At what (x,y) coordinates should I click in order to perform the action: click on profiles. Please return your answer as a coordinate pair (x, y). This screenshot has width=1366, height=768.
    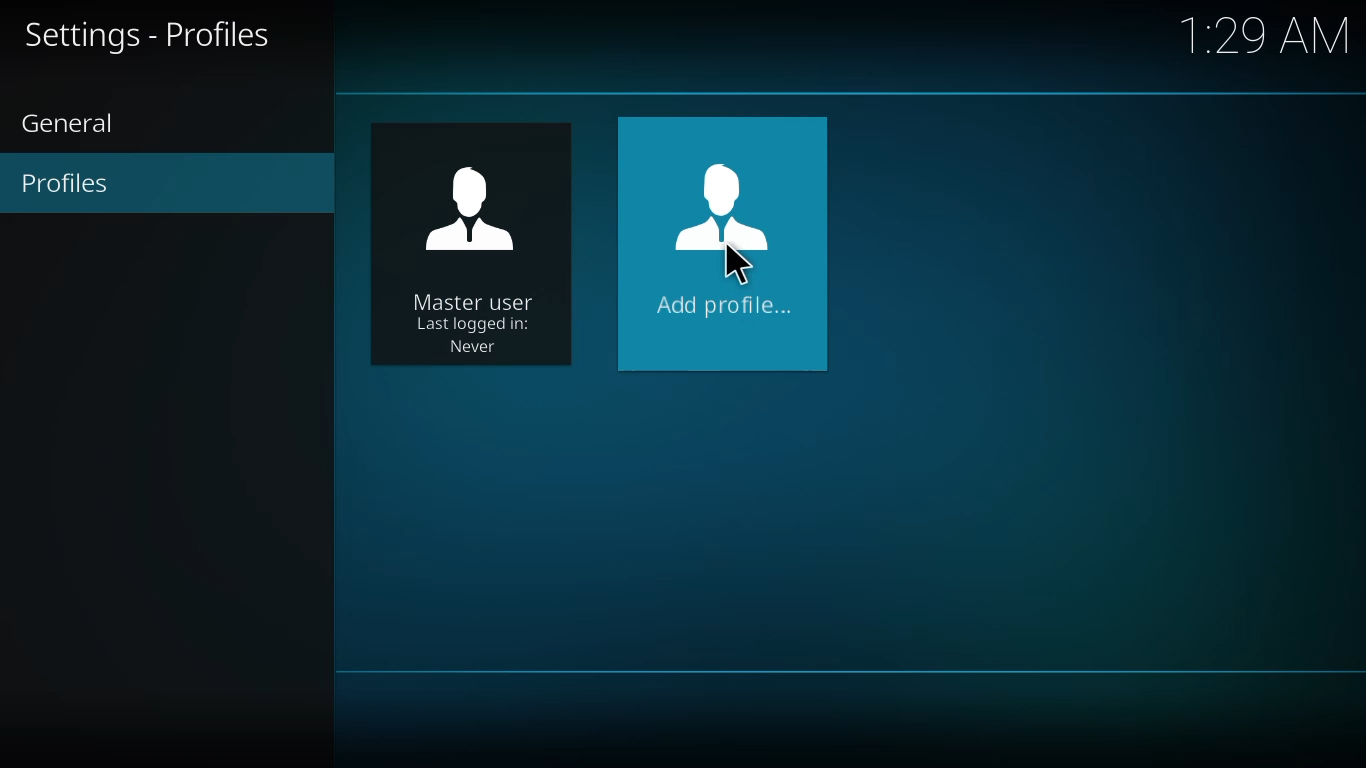
    Looking at the image, I should click on (155, 36).